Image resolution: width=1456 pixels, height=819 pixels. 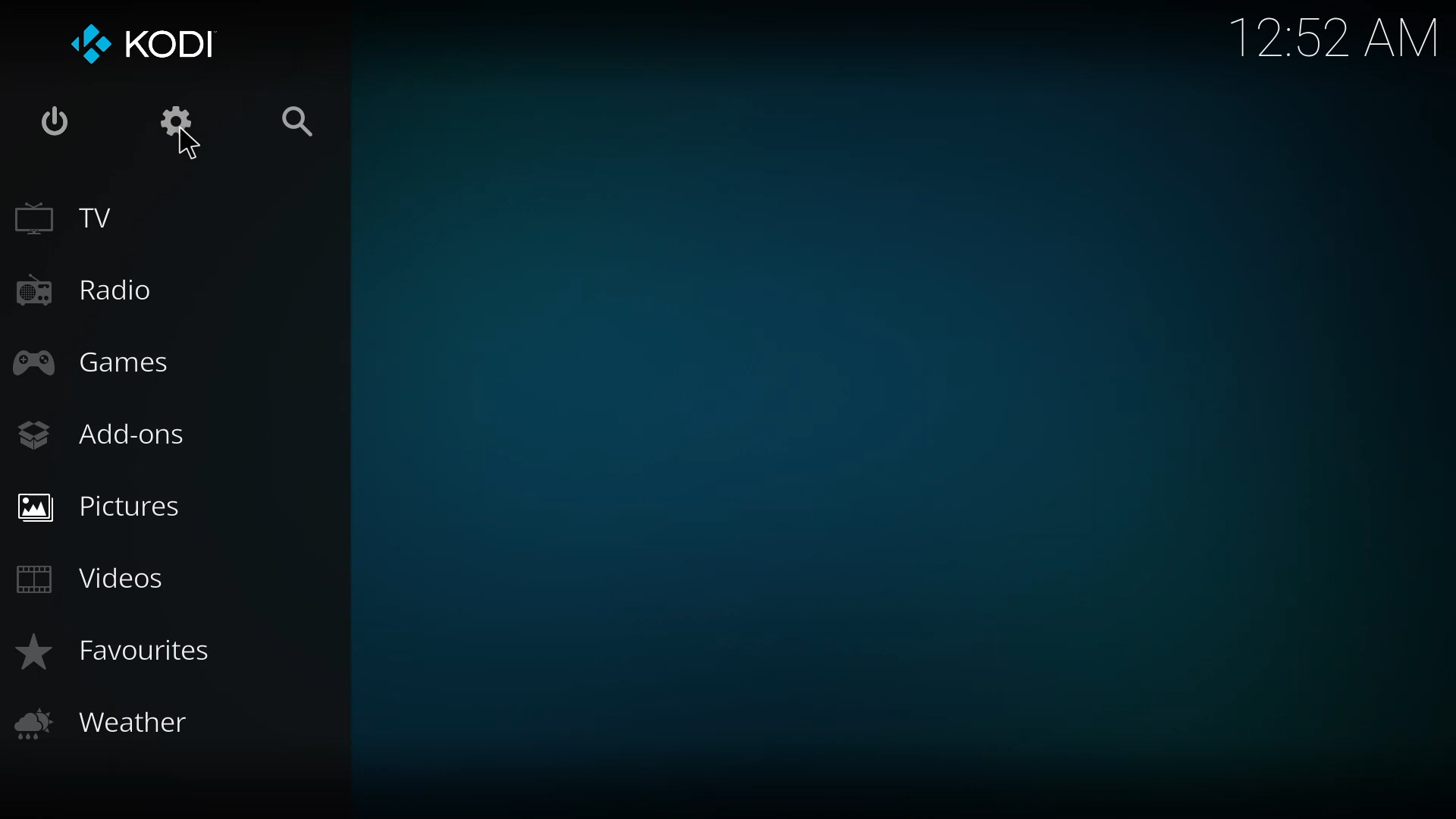 I want to click on cursor, so click(x=185, y=146).